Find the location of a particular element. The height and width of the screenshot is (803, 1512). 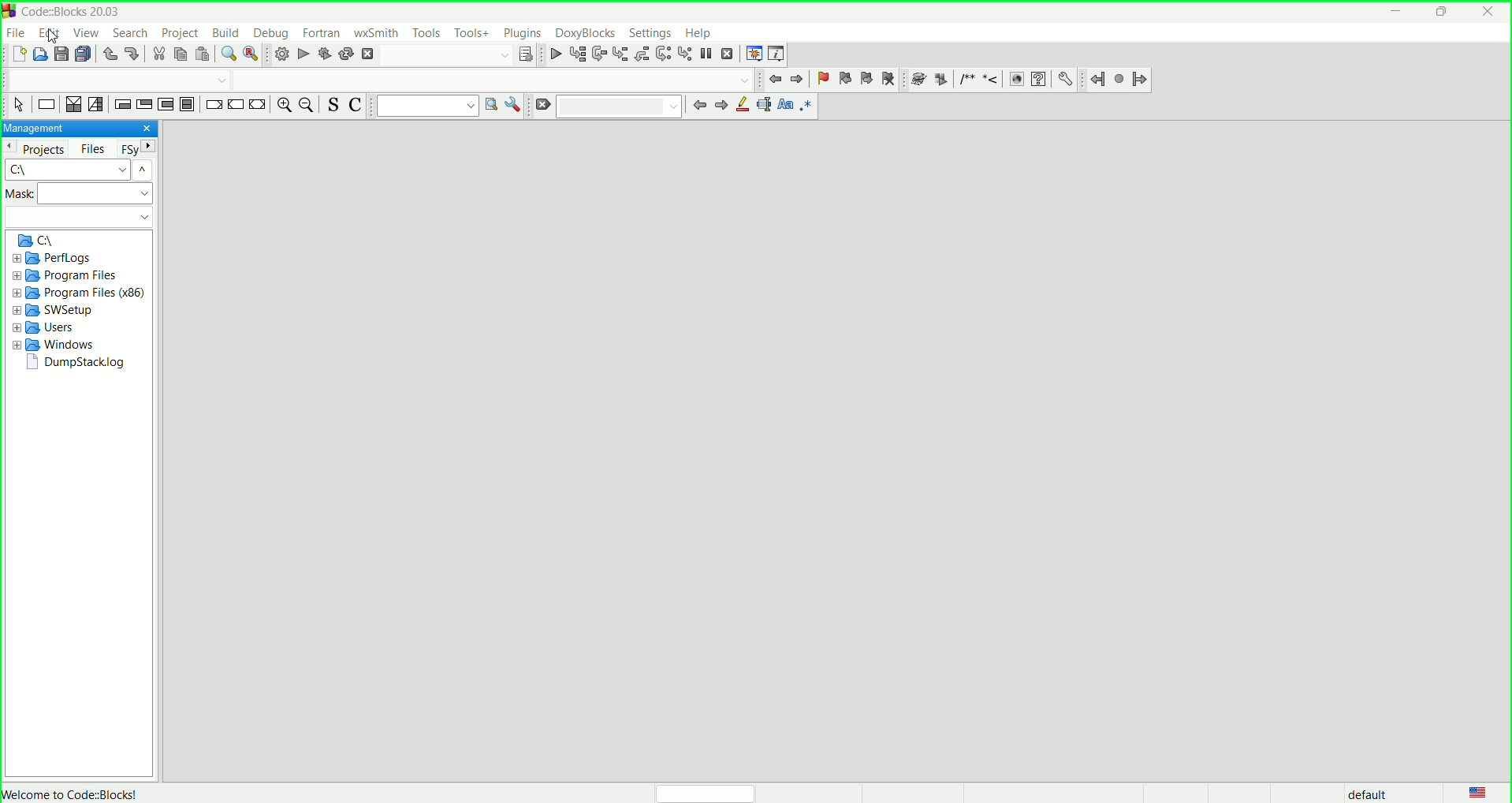

build is located at coordinates (280, 54).